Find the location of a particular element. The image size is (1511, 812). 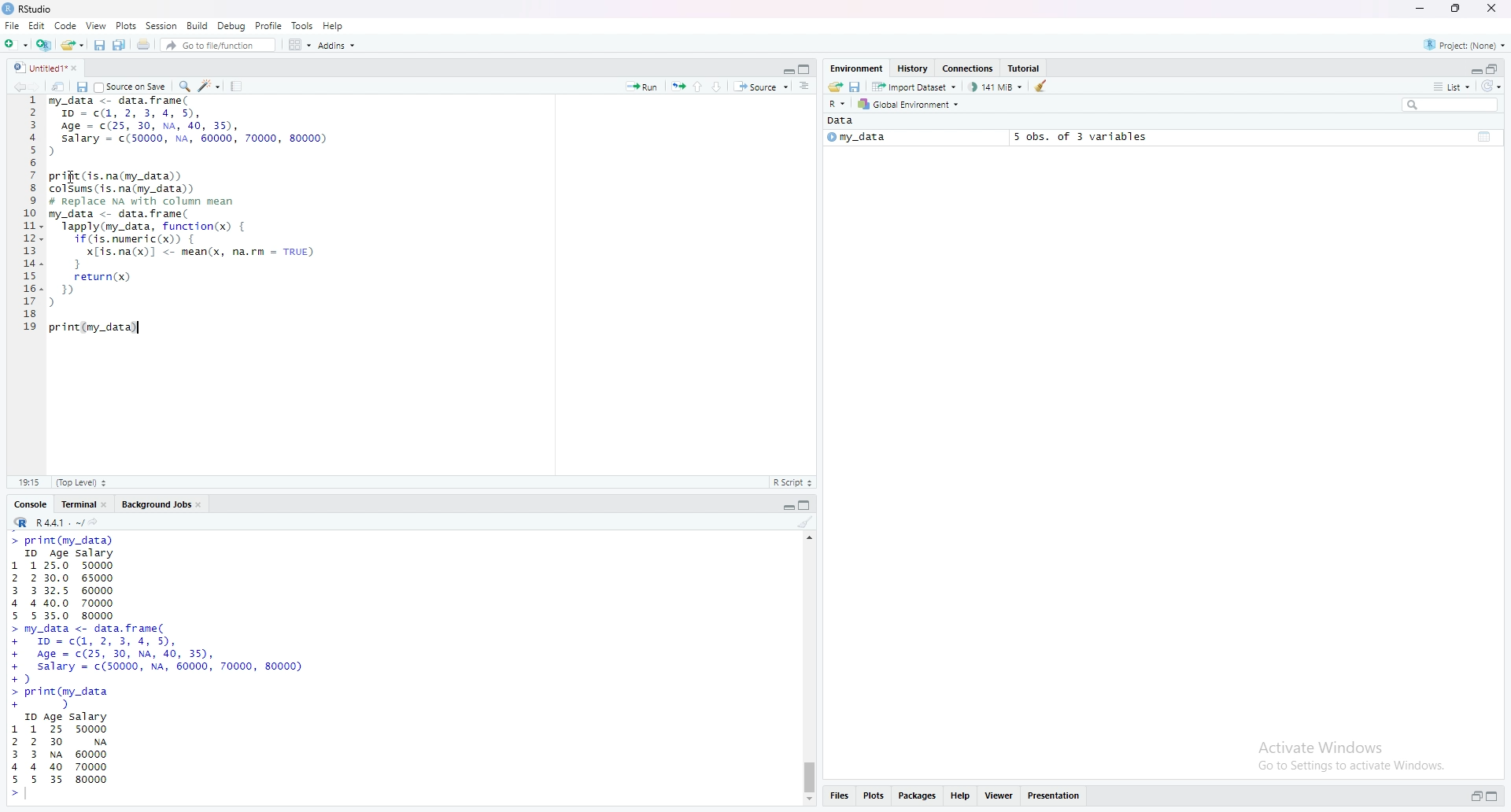

Data is located at coordinates (841, 121).